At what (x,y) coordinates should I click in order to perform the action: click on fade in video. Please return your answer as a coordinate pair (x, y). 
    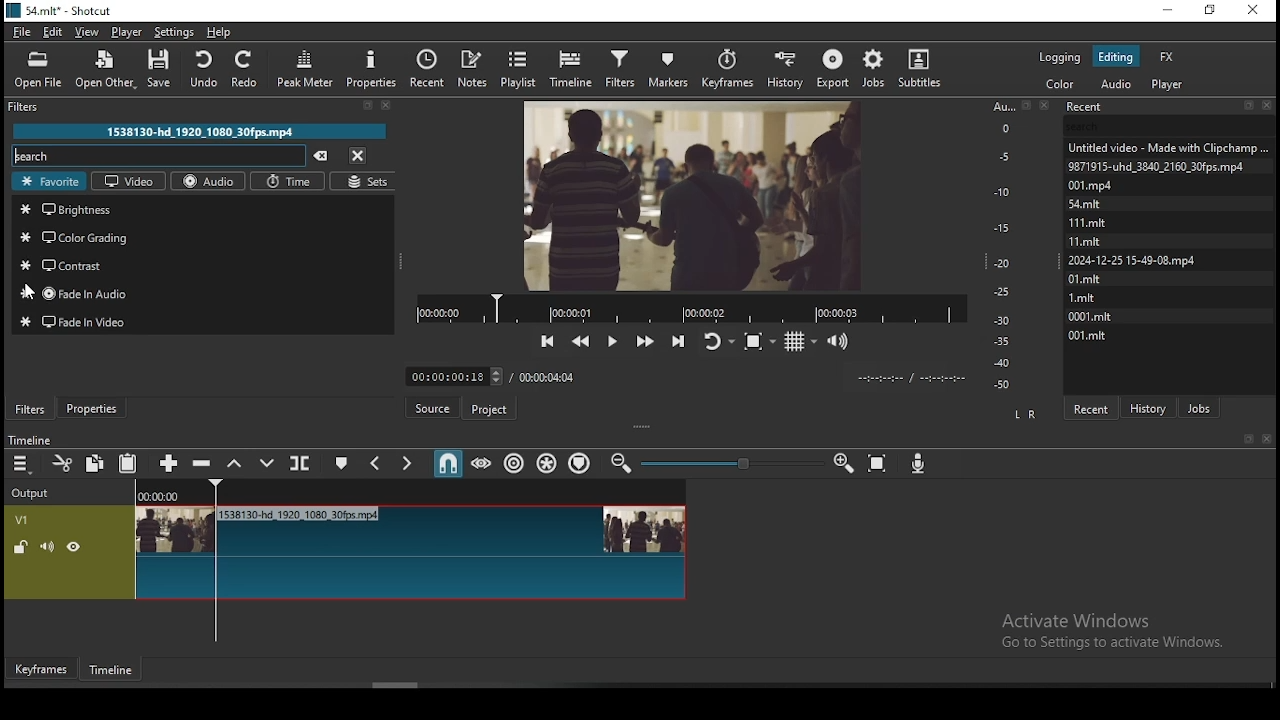
    Looking at the image, I should click on (203, 321).